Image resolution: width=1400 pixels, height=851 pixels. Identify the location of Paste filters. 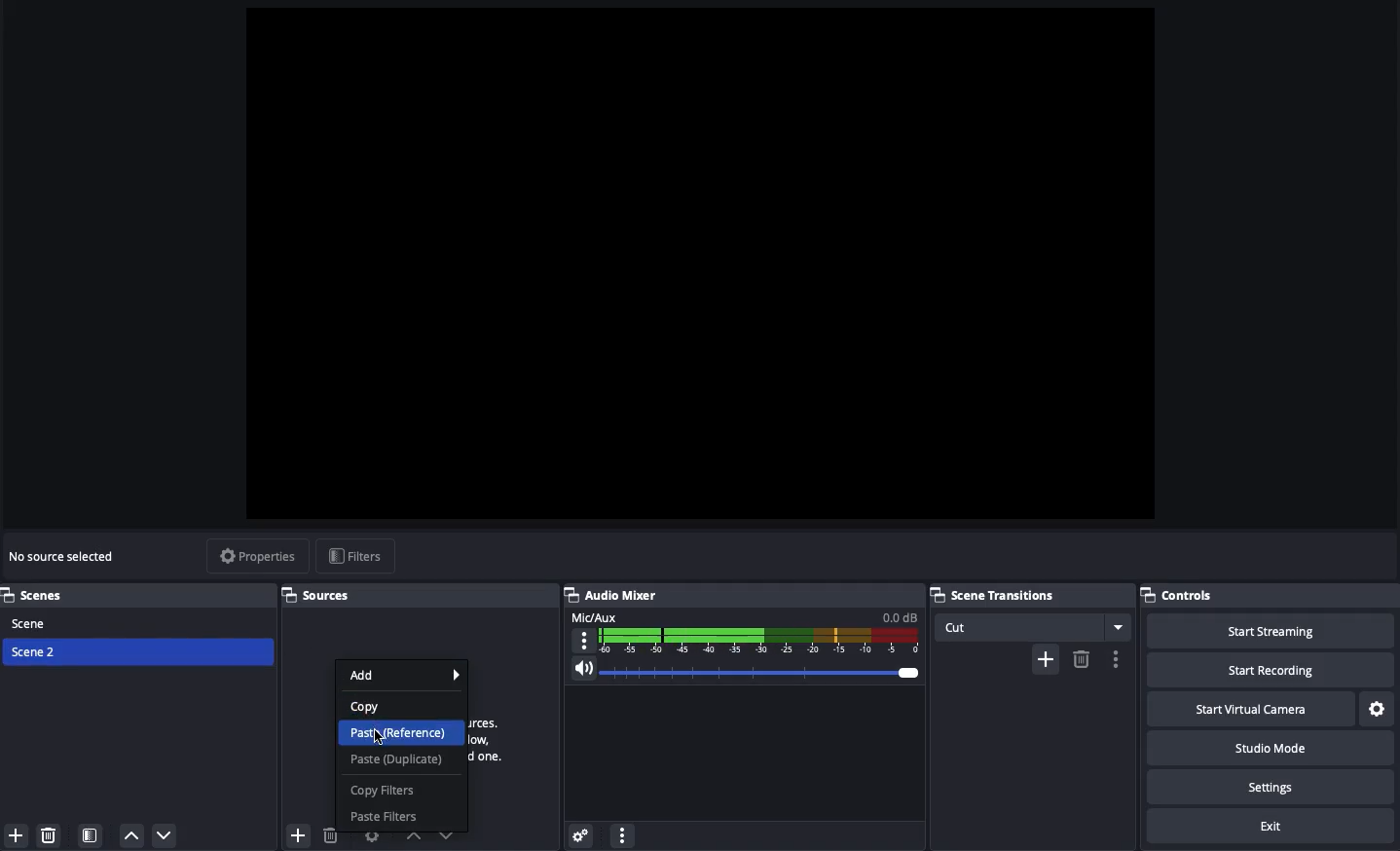
(386, 817).